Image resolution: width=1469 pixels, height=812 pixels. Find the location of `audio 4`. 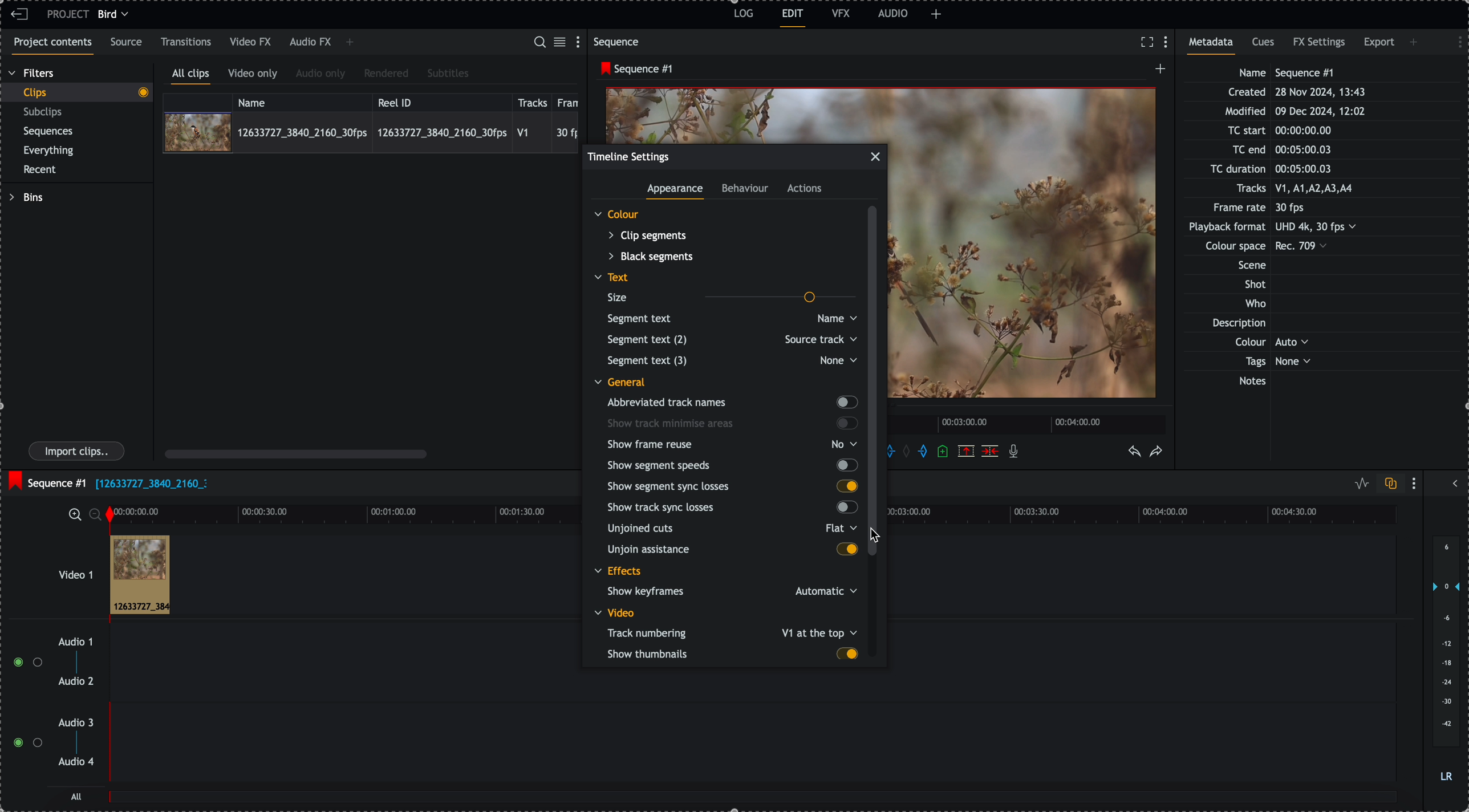

audio 4 is located at coordinates (75, 762).